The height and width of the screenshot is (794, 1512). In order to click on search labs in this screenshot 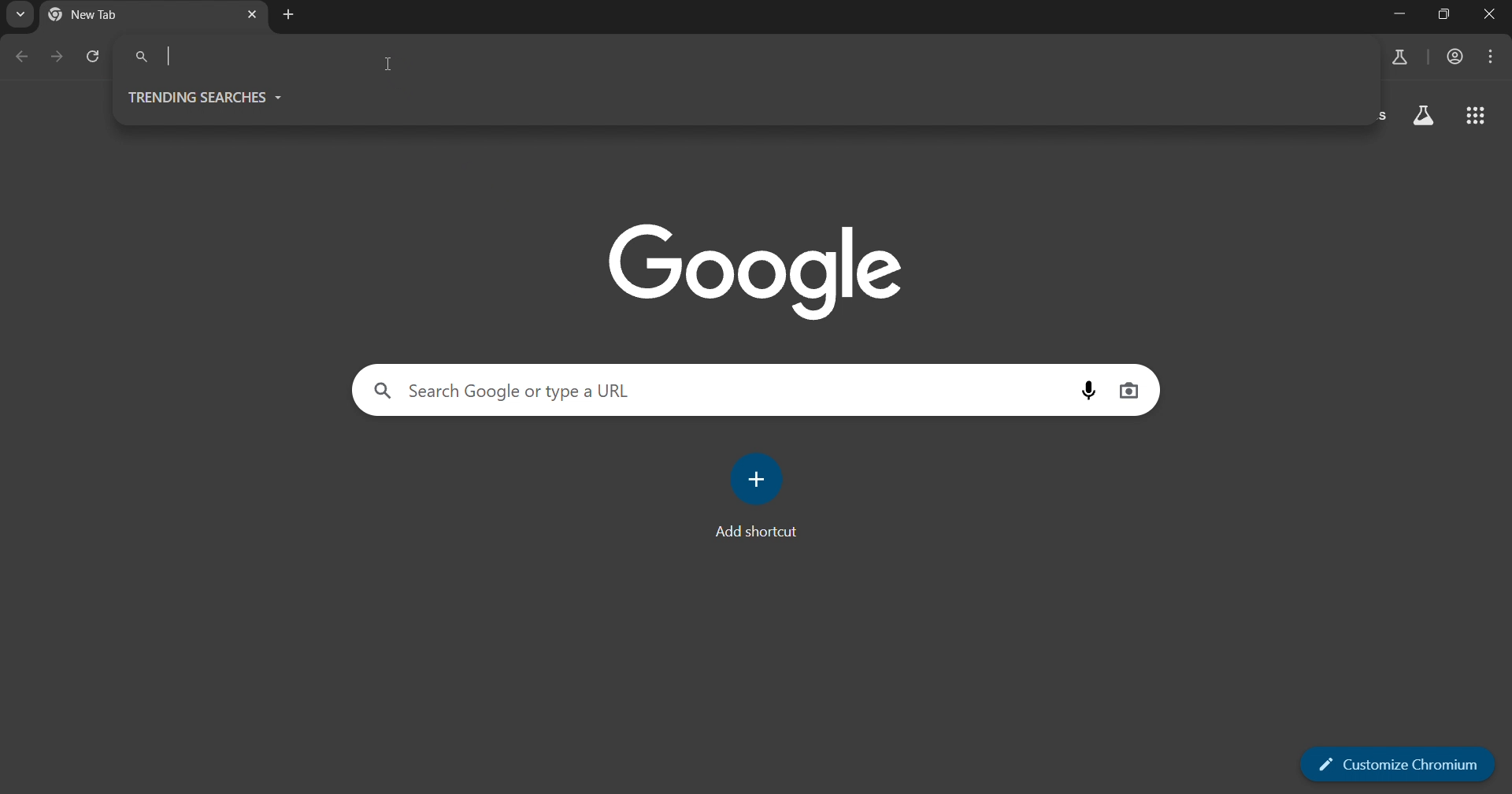, I will do `click(1399, 57)`.